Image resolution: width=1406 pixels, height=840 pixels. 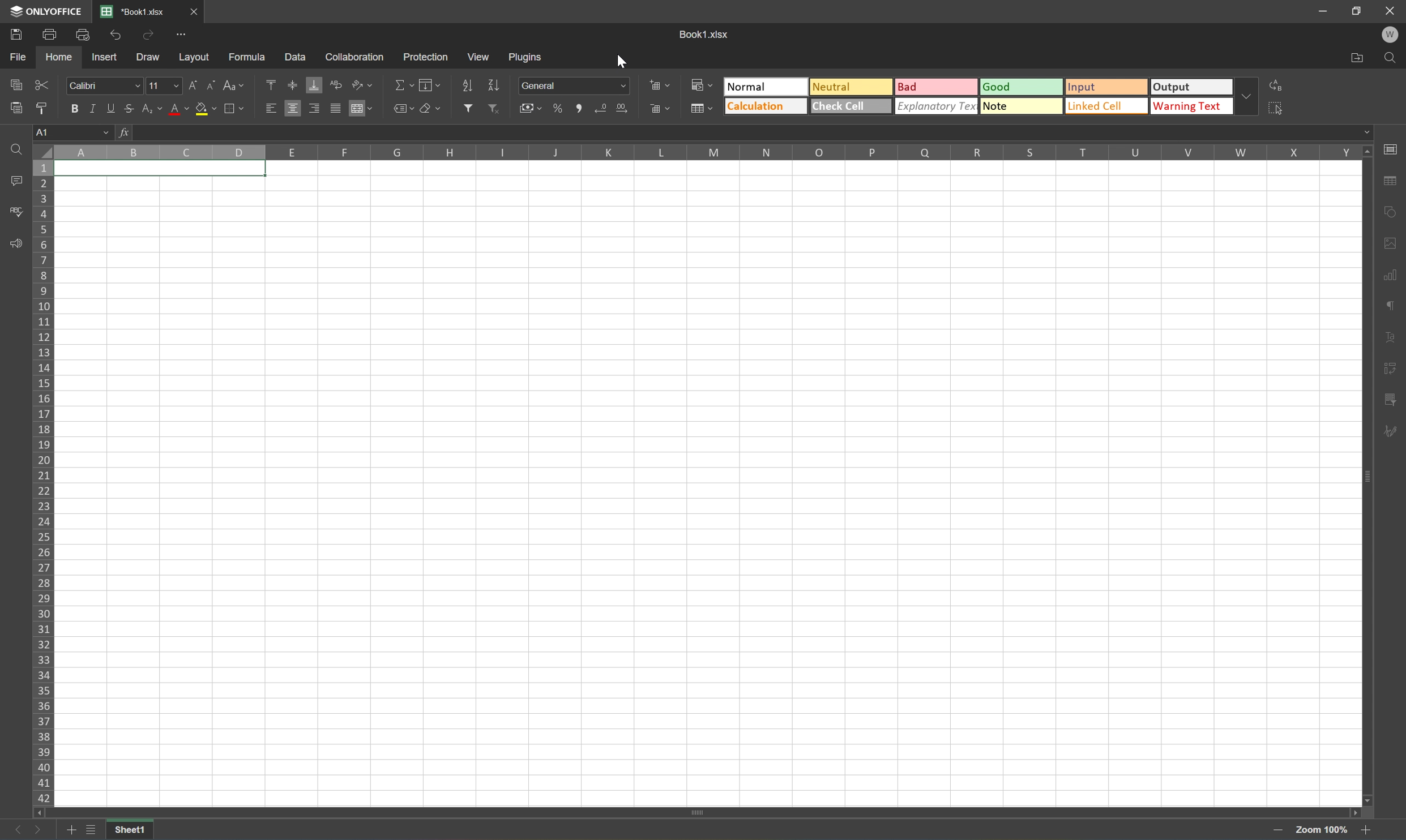 What do you see at coordinates (1388, 306) in the screenshot?
I see `Paragraph settings` at bounding box center [1388, 306].